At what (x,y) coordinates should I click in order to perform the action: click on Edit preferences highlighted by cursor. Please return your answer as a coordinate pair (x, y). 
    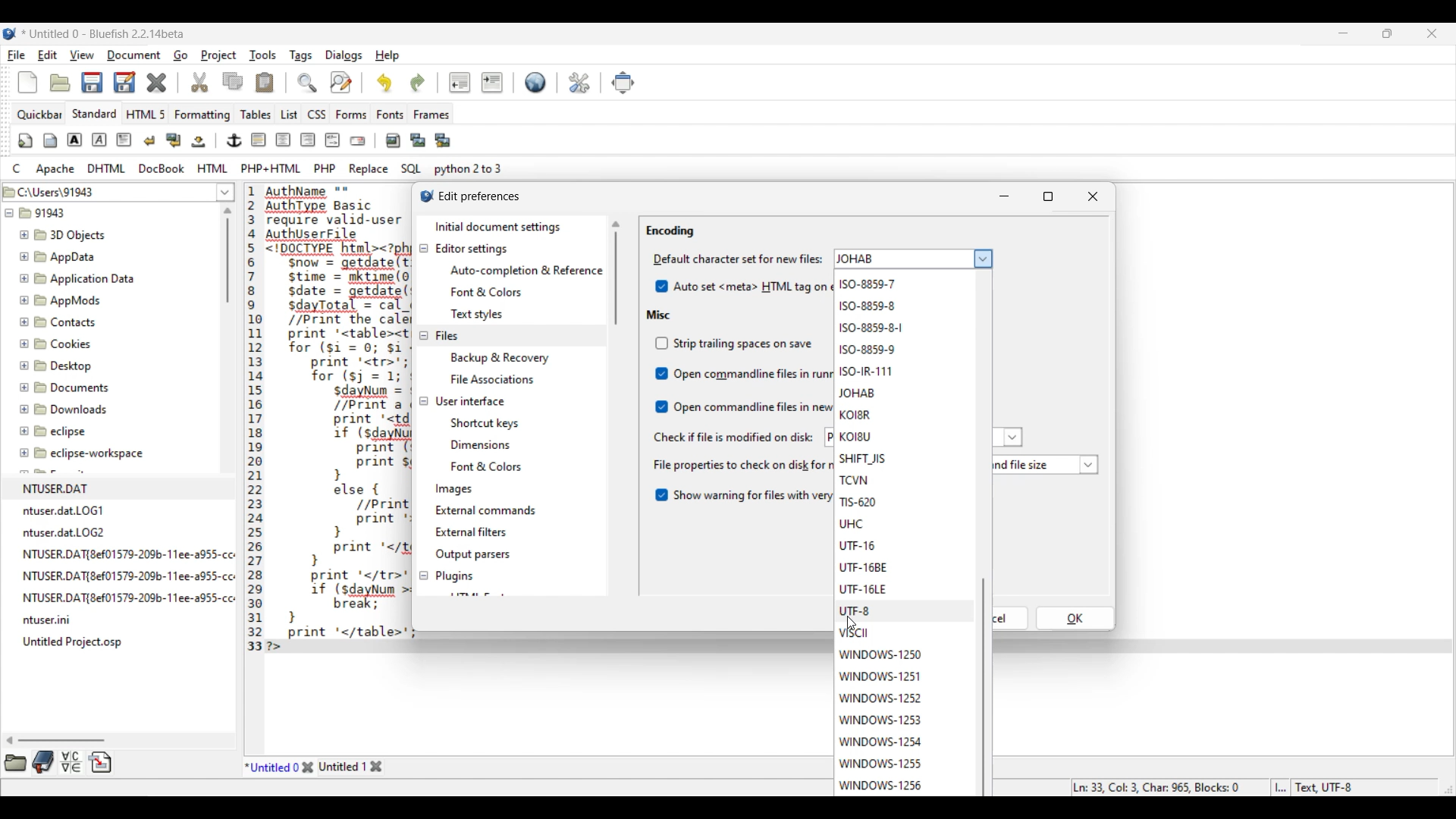
    Looking at the image, I should click on (580, 83).